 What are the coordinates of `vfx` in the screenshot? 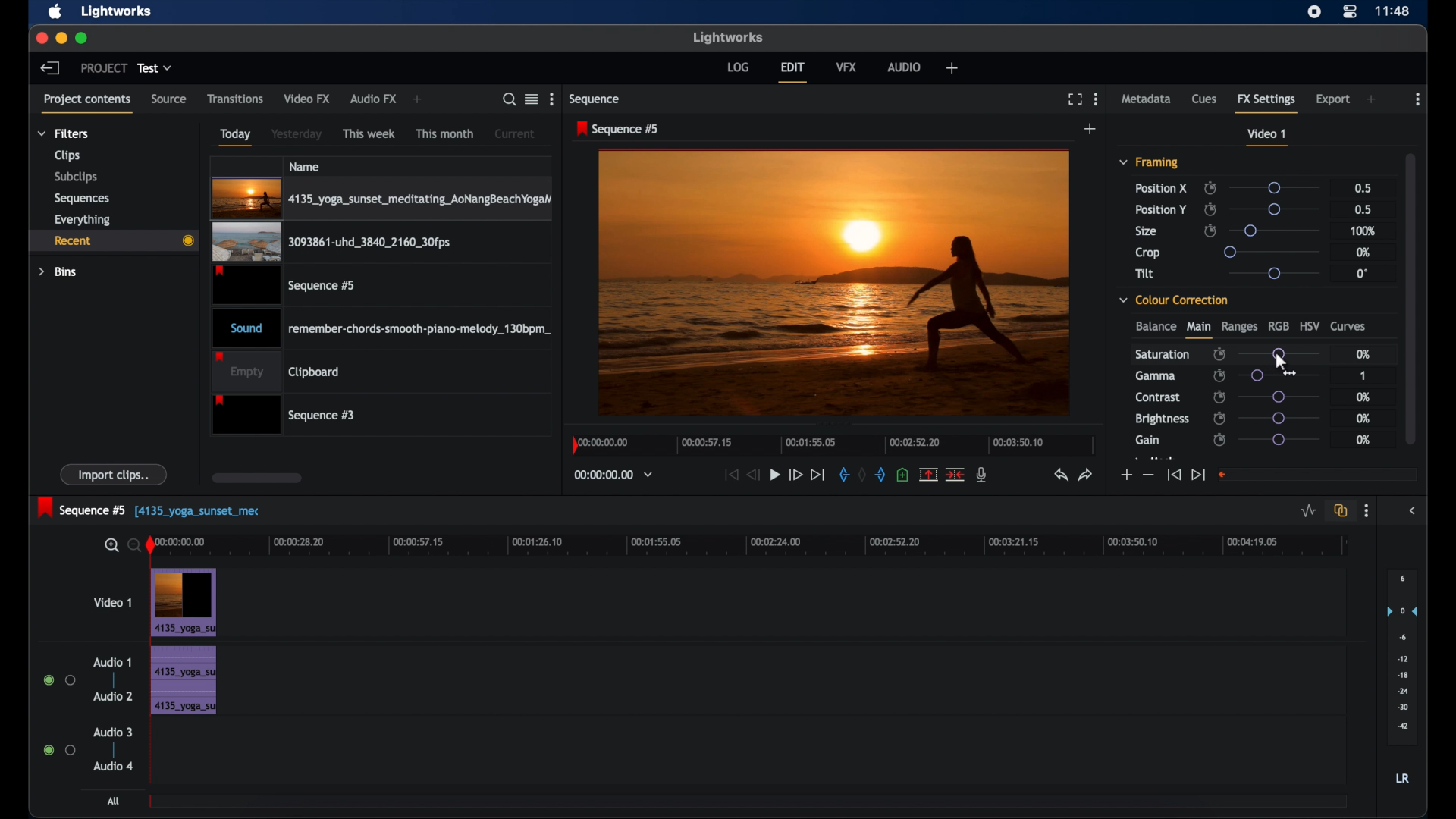 It's located at (847, 67).